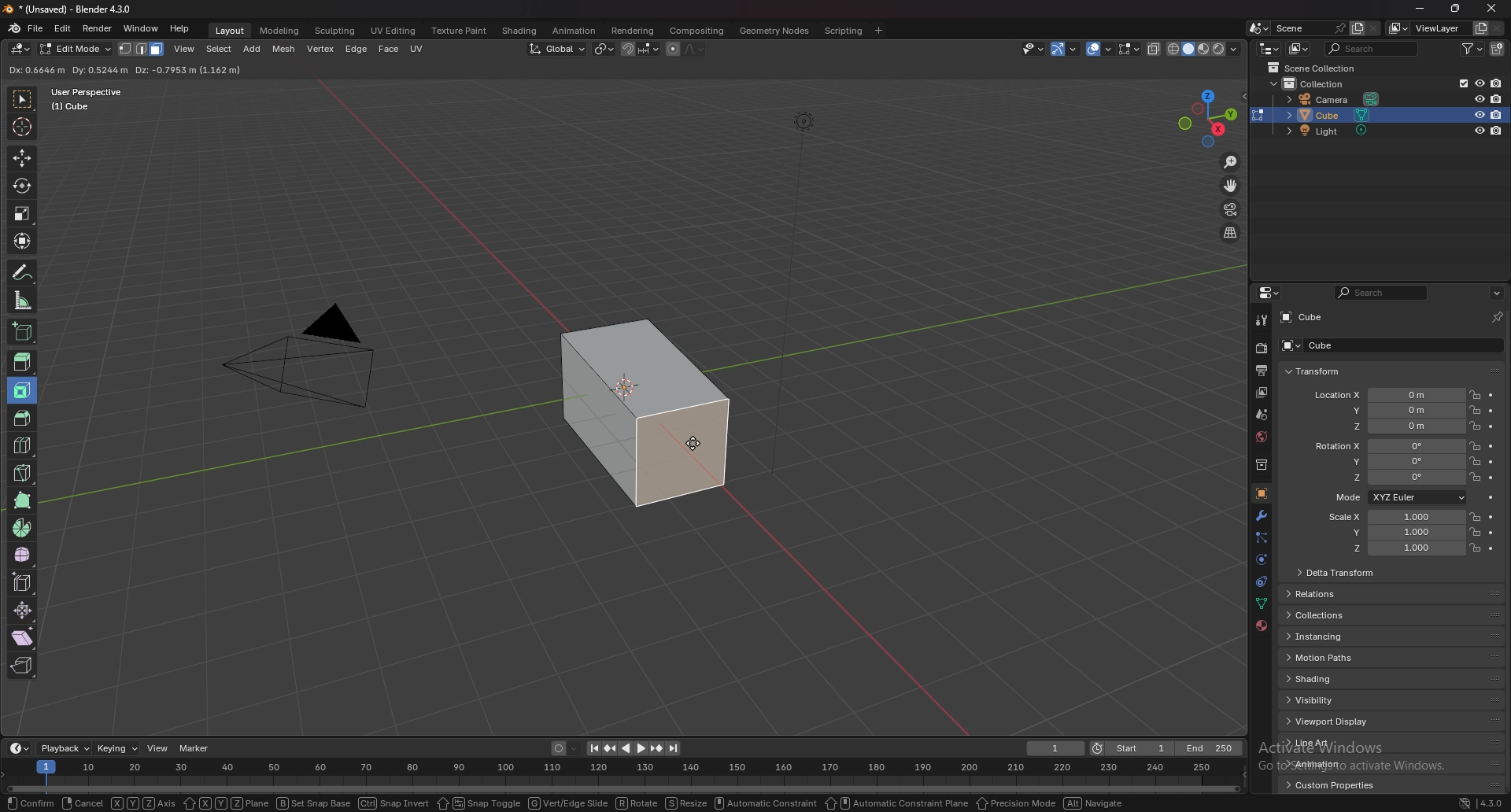  Describe the element at coordinates (1232, 163) in the screenshot. I see `zoom` at that location.